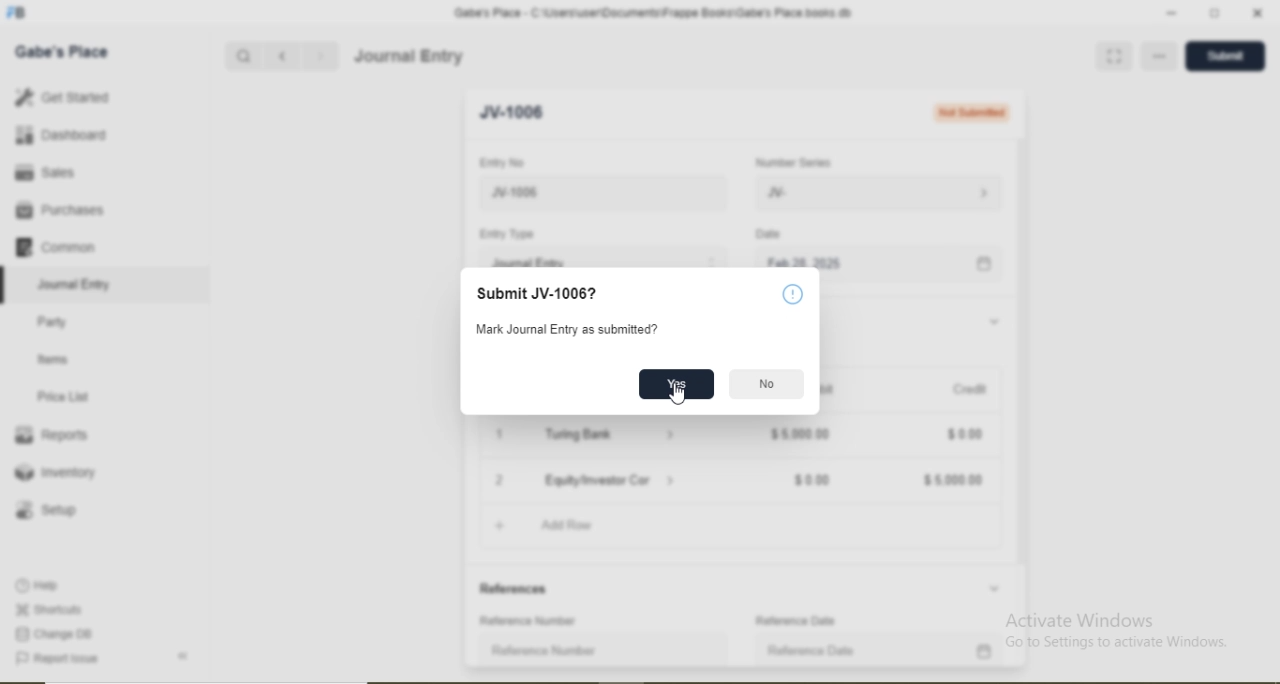  I want to click on Help, so click(39, 585).